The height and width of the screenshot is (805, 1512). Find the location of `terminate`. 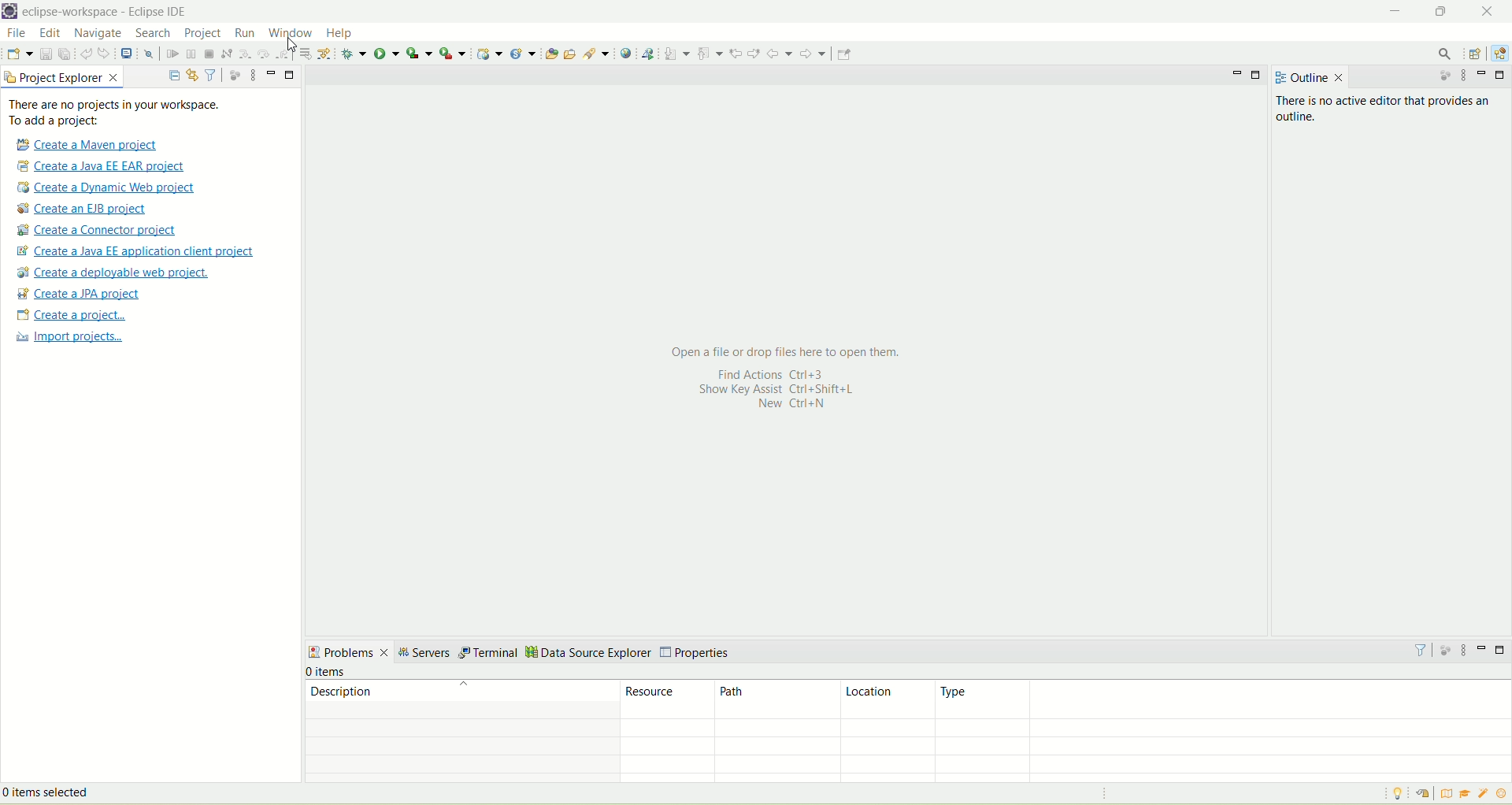

terminate is located at coordinates (209, 54).